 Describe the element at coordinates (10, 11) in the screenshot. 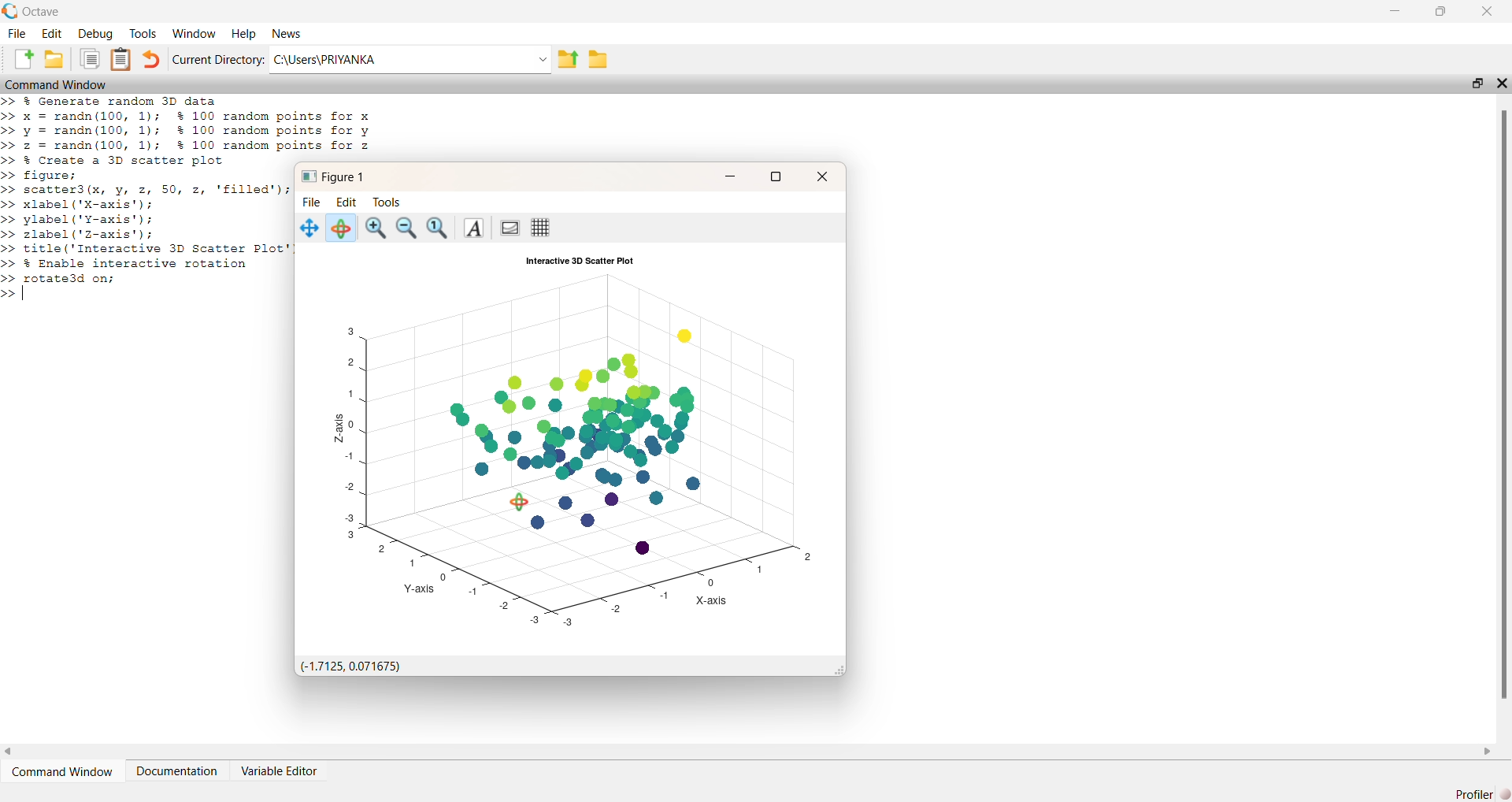

I see `logo` at that location.